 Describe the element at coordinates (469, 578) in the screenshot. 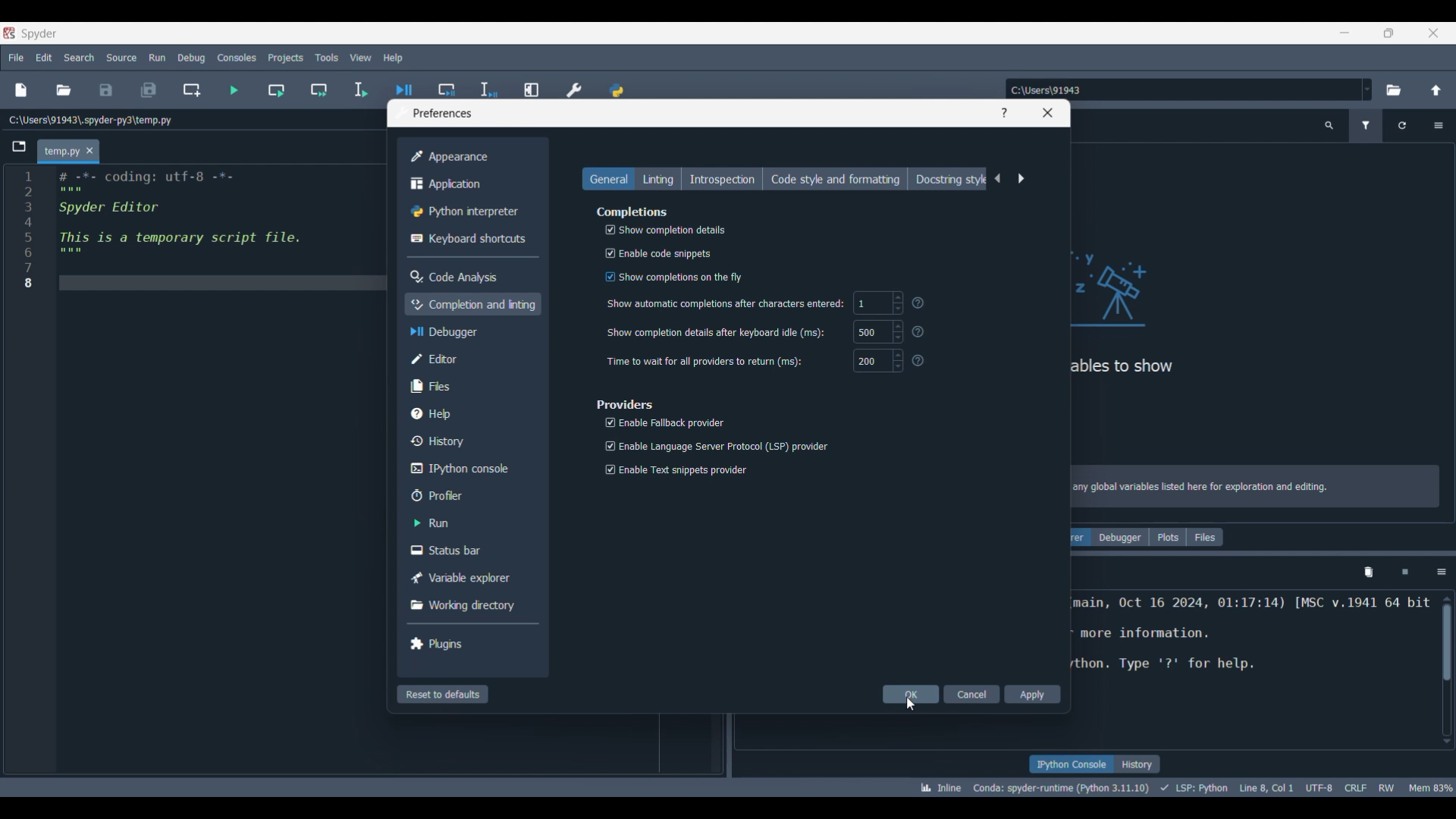

I see `Variable explorer` at that location.